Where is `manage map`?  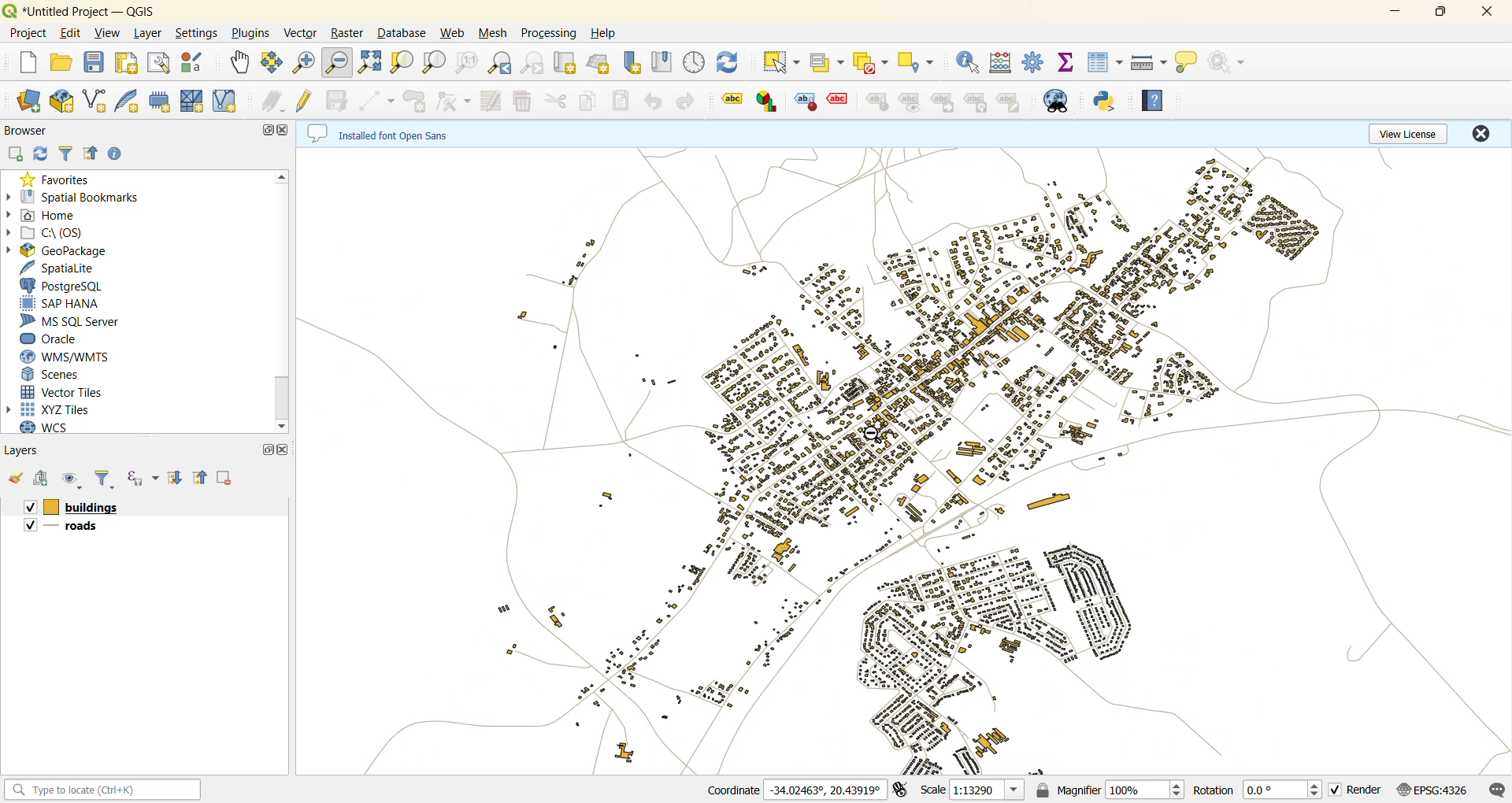 manage map is located at coordinates (72, 481).